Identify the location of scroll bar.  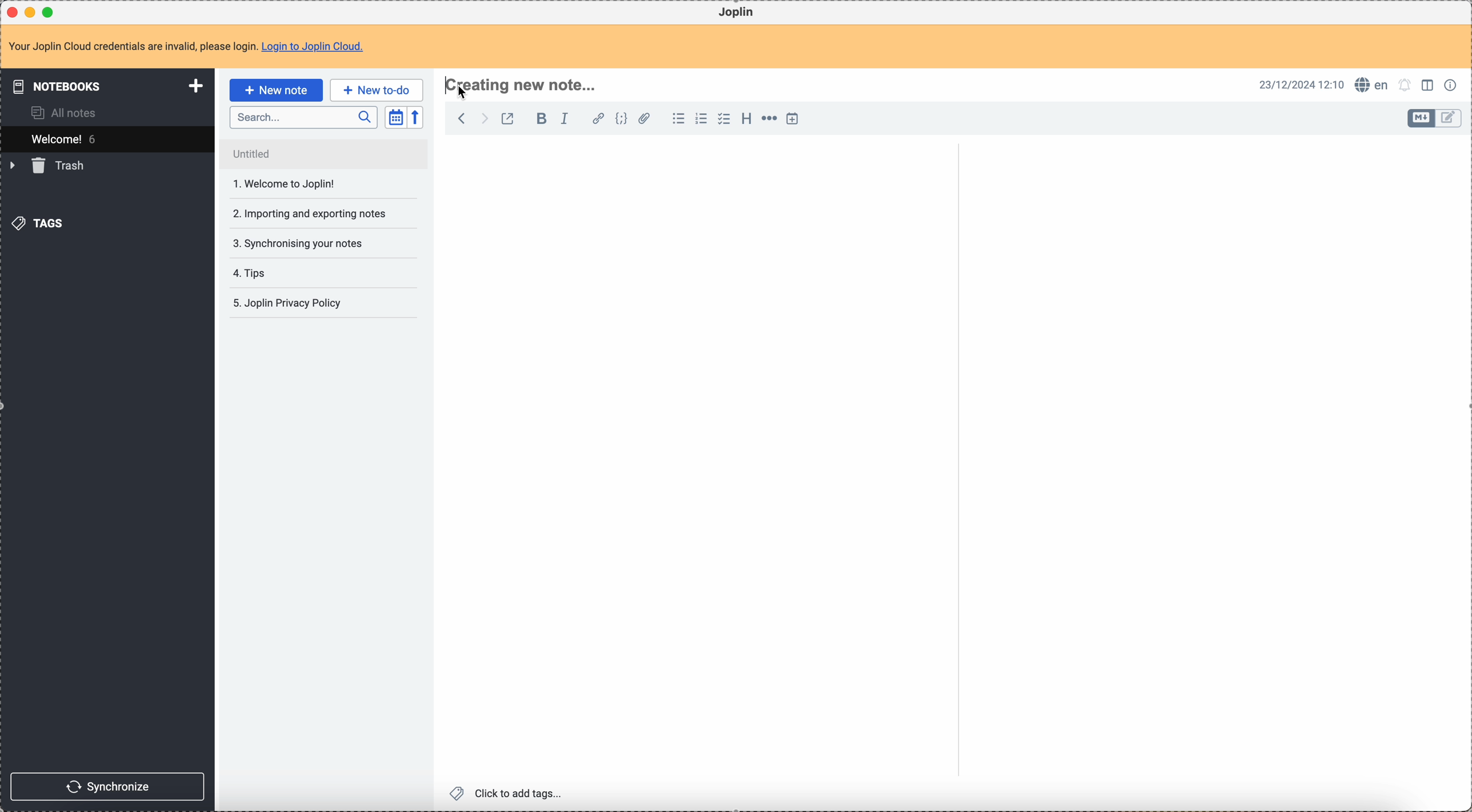
(1463, 258).